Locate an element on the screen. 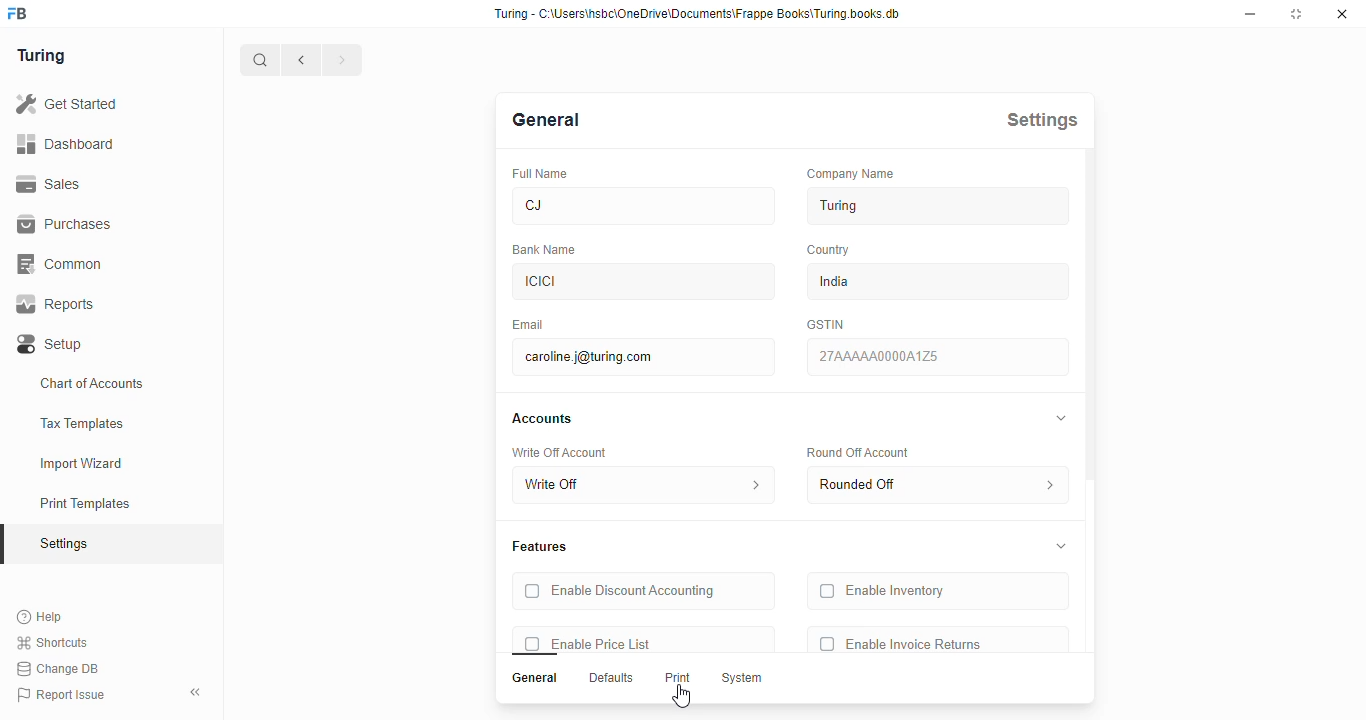 This screenshot has width=1366, height=720. sales is located at coordinates (52, 184).